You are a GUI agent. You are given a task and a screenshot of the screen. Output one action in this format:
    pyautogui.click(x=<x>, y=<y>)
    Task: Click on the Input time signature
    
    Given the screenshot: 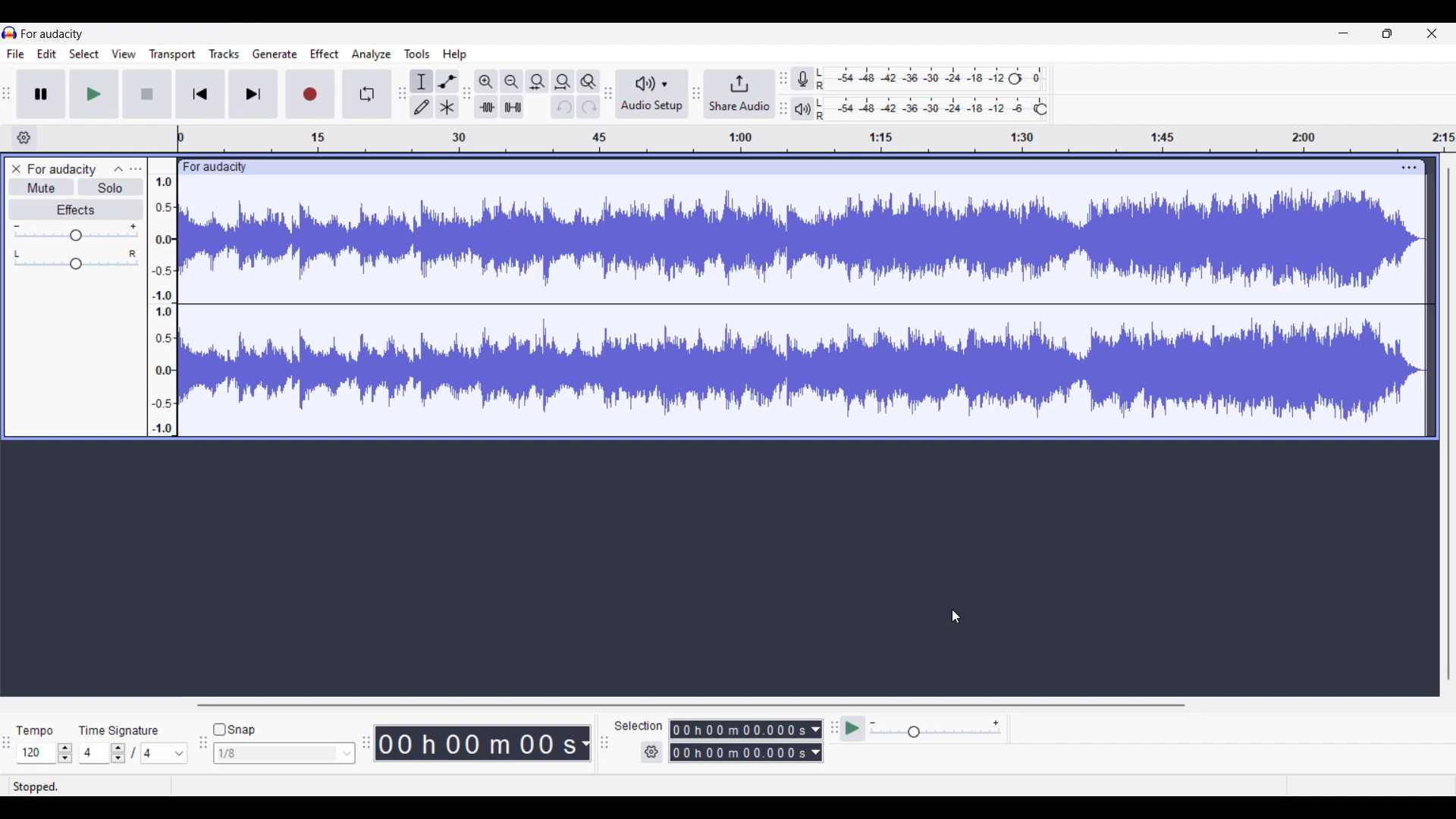 What is the action you would take?
    pyautogui.click(x=94, y=753)
    